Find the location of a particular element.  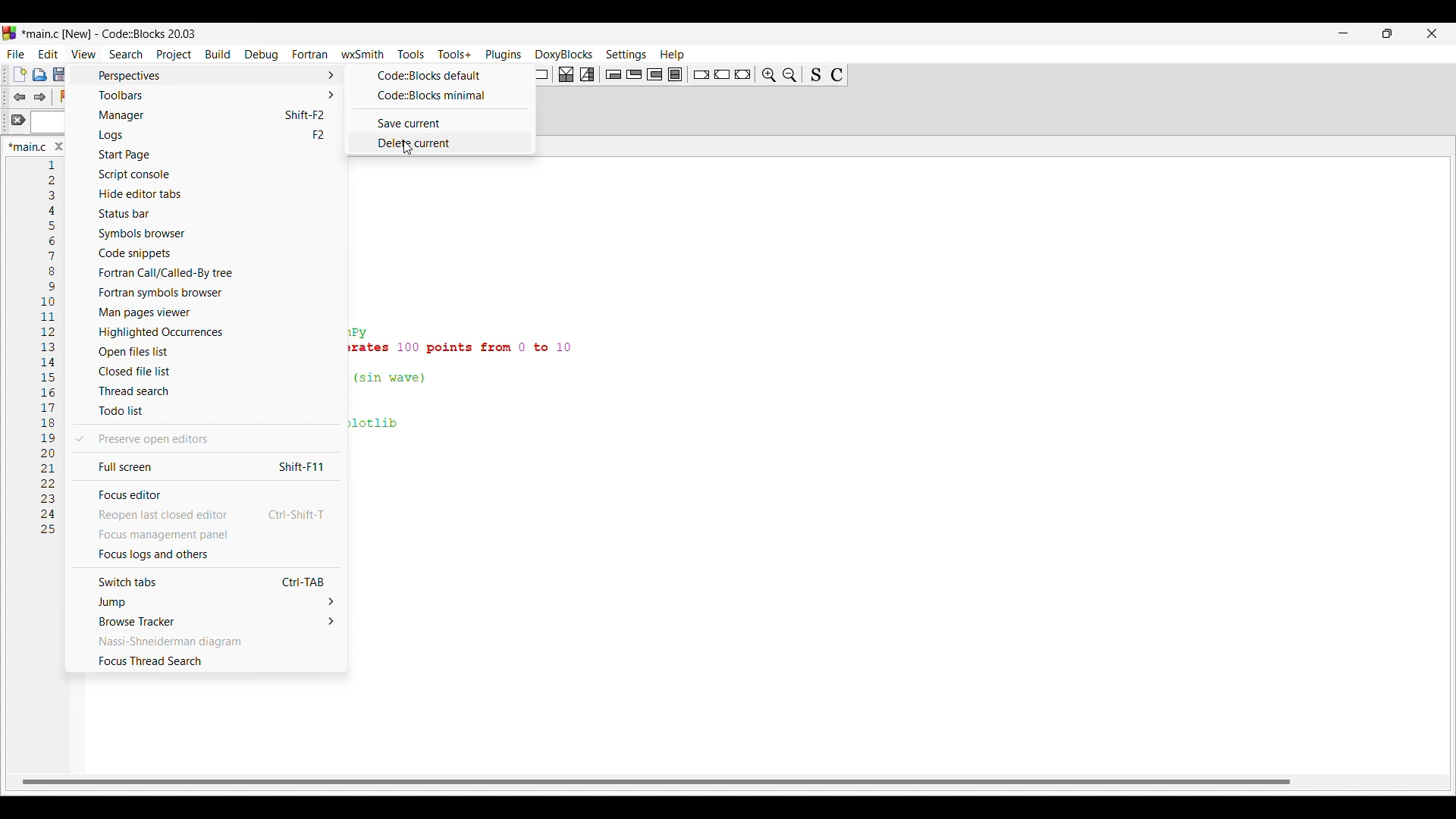

Zoom in is located at coordinates (769, 74).